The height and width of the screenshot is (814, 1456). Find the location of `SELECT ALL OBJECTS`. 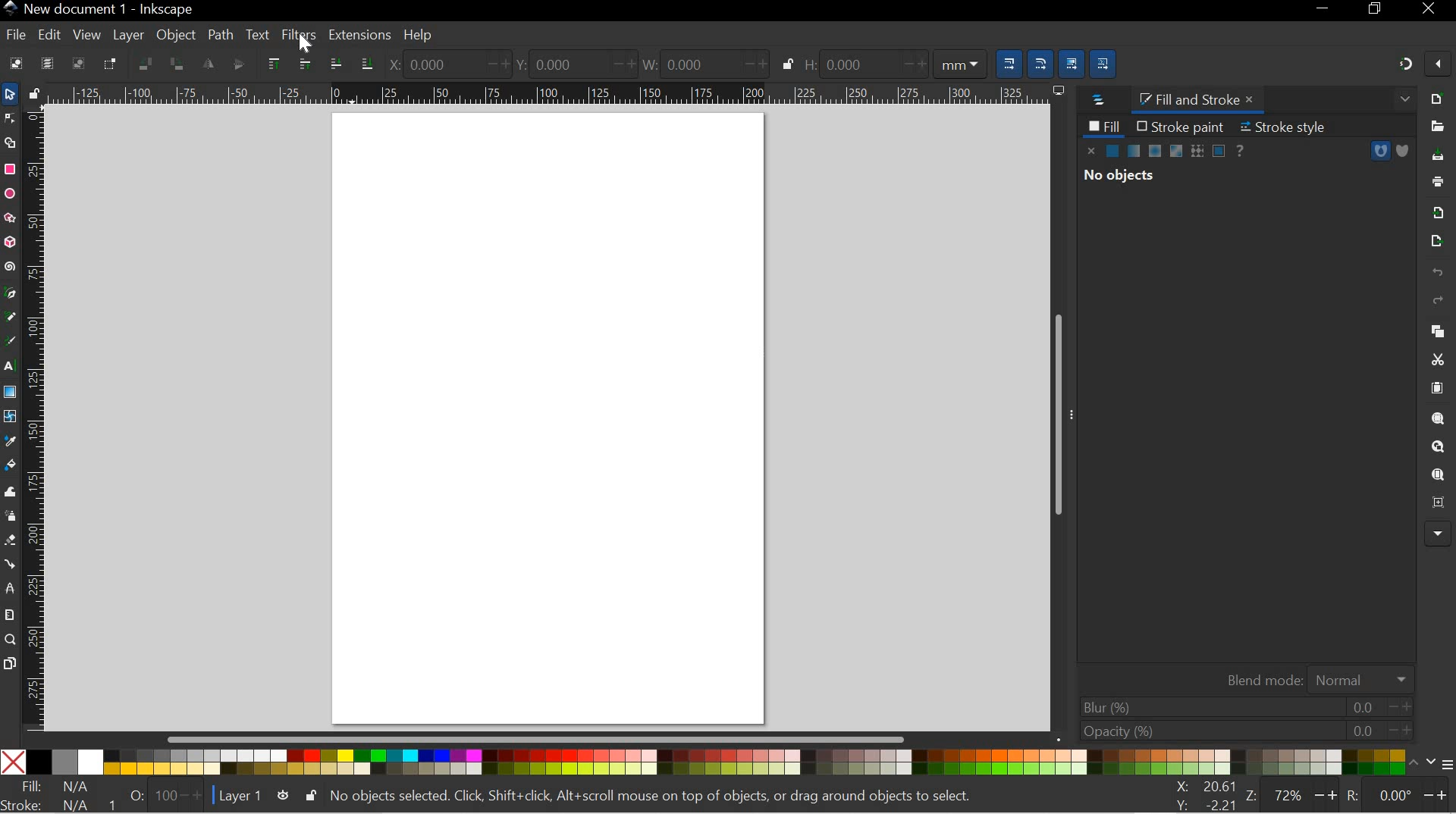

SELECT ALL OBJECTS is located at coordinates (14, 63).